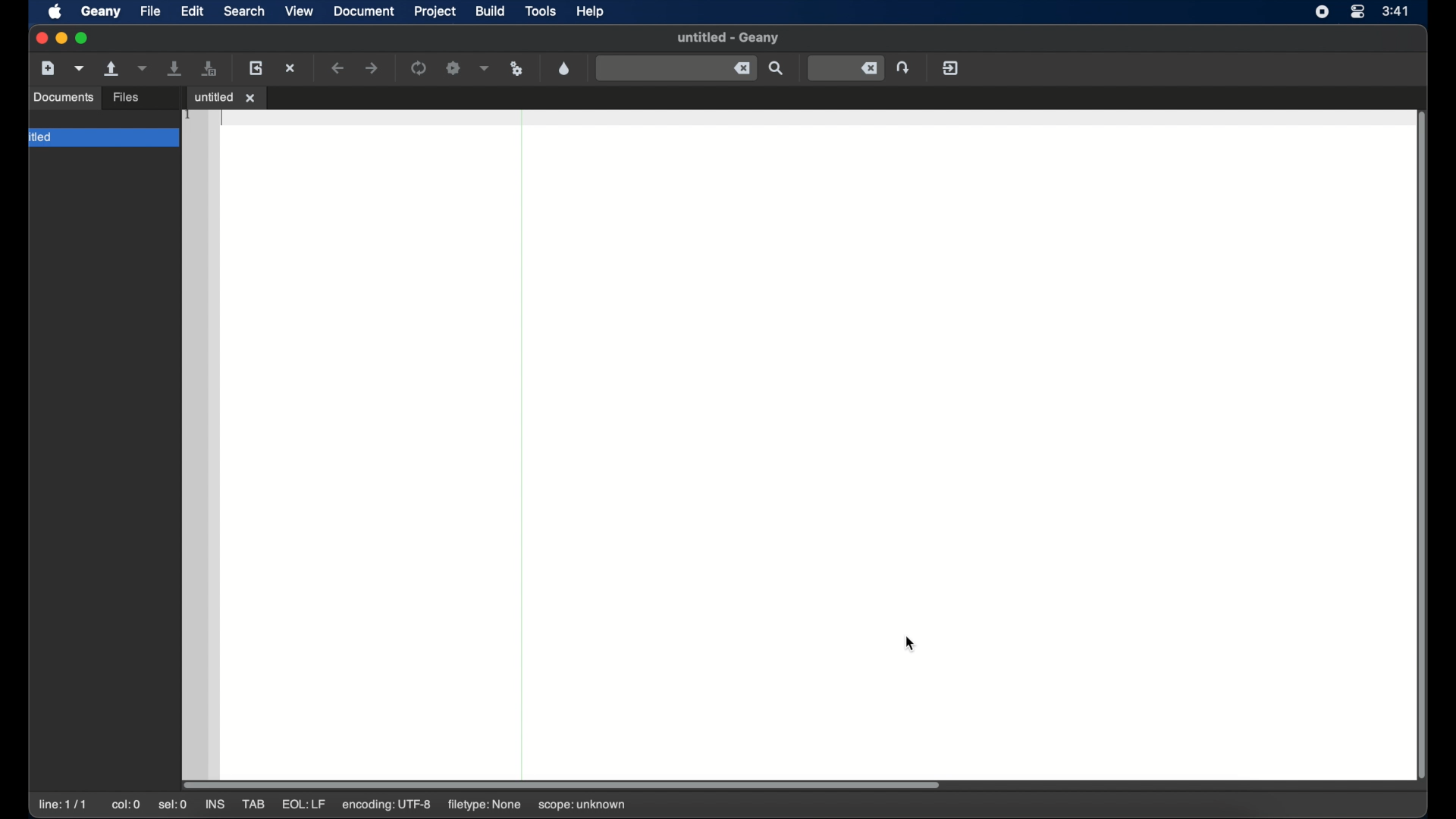  What do you see at coordinates (291, 67) in the screenshot?
I see `close the current file` at bounding box center [291, 67].